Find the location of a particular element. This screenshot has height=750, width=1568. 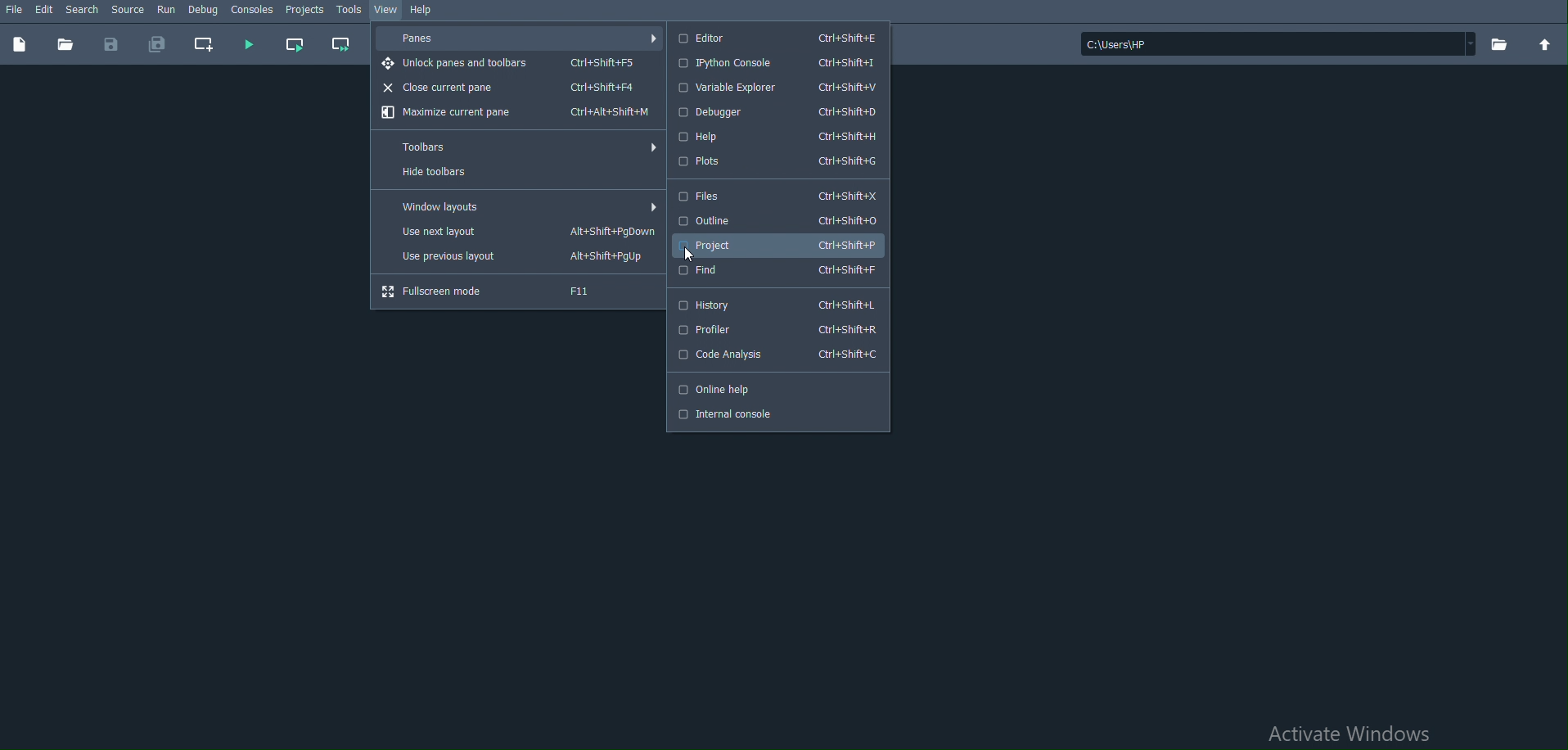

Debugger is located at coordinates (773, 111).